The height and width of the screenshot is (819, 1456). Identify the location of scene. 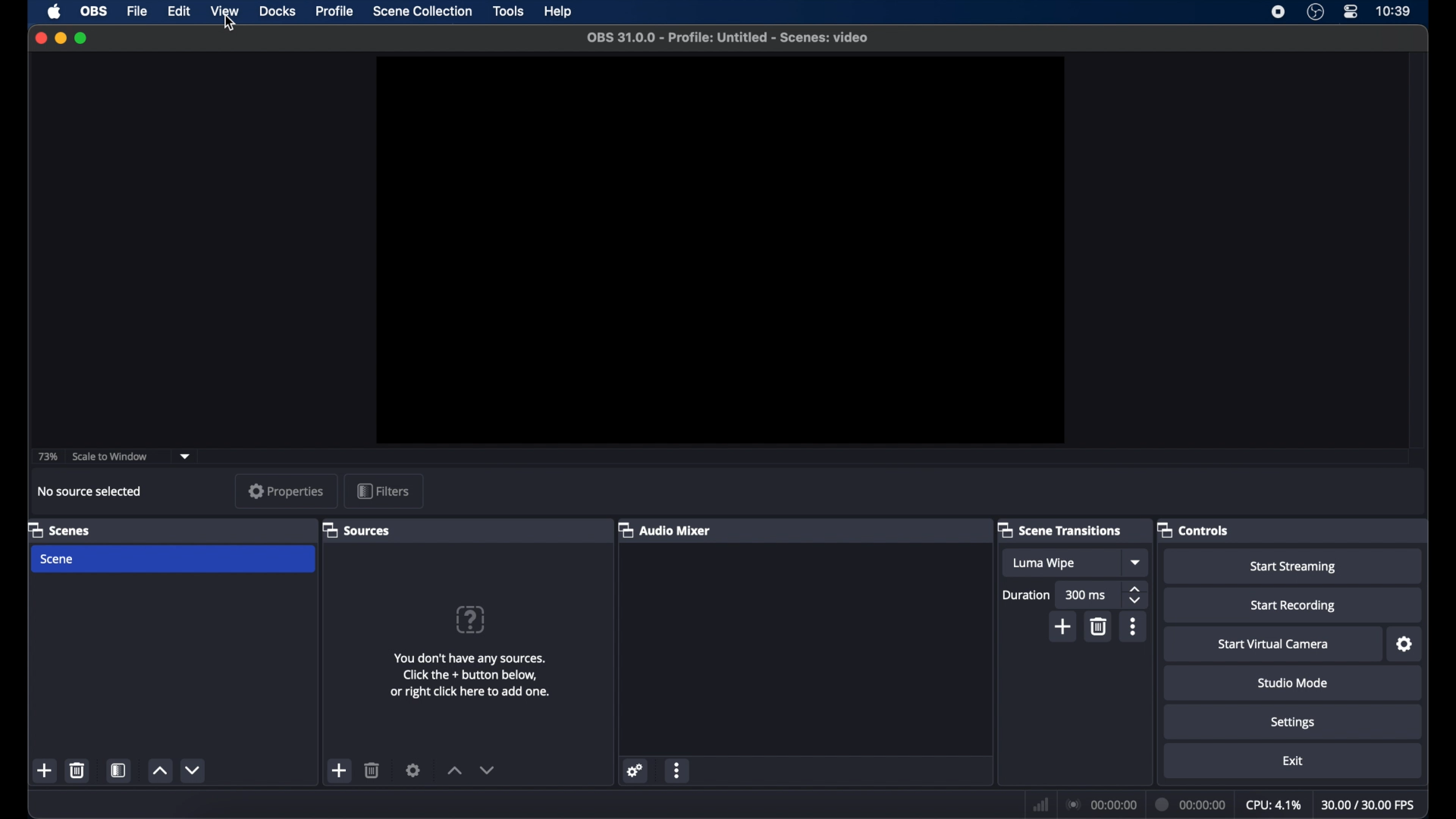
(174, 559).